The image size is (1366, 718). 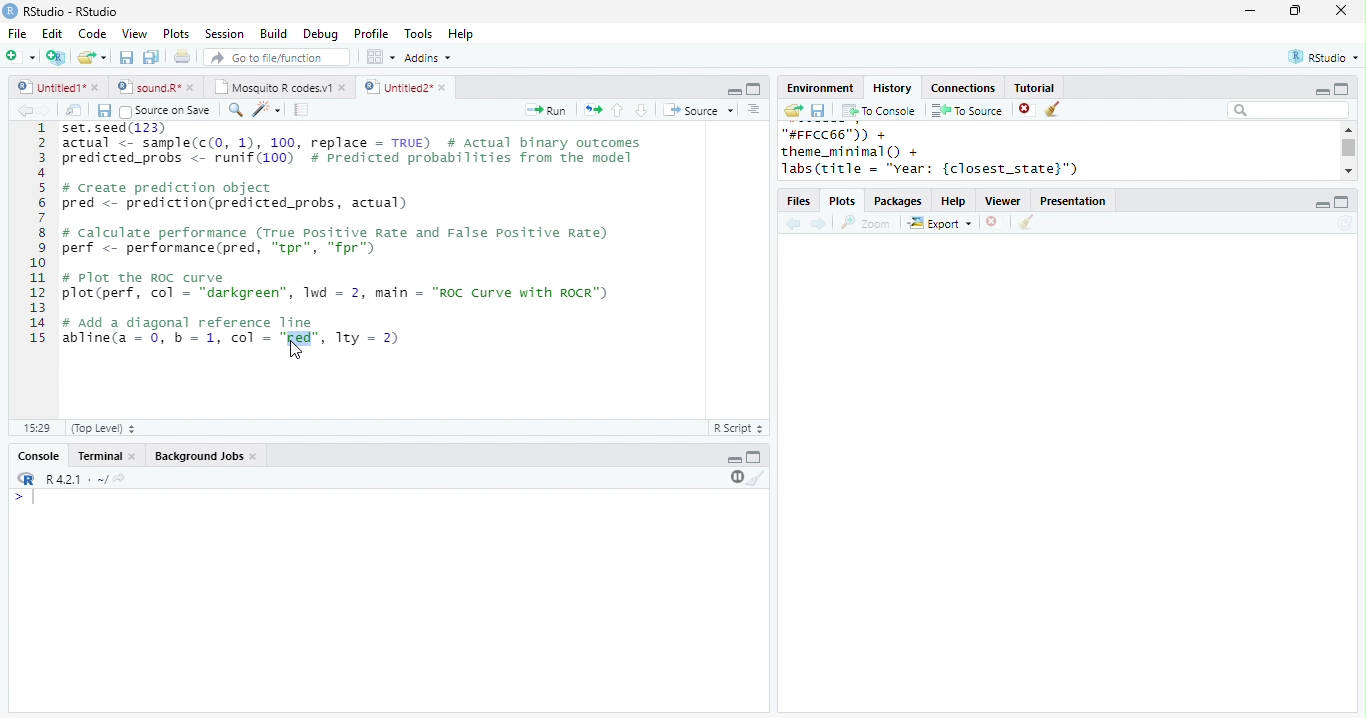 I want to click on "#FFCC66")) +theme_minimal() +labs(title = "year: {closest_state}"), so click(x=955, y=152).